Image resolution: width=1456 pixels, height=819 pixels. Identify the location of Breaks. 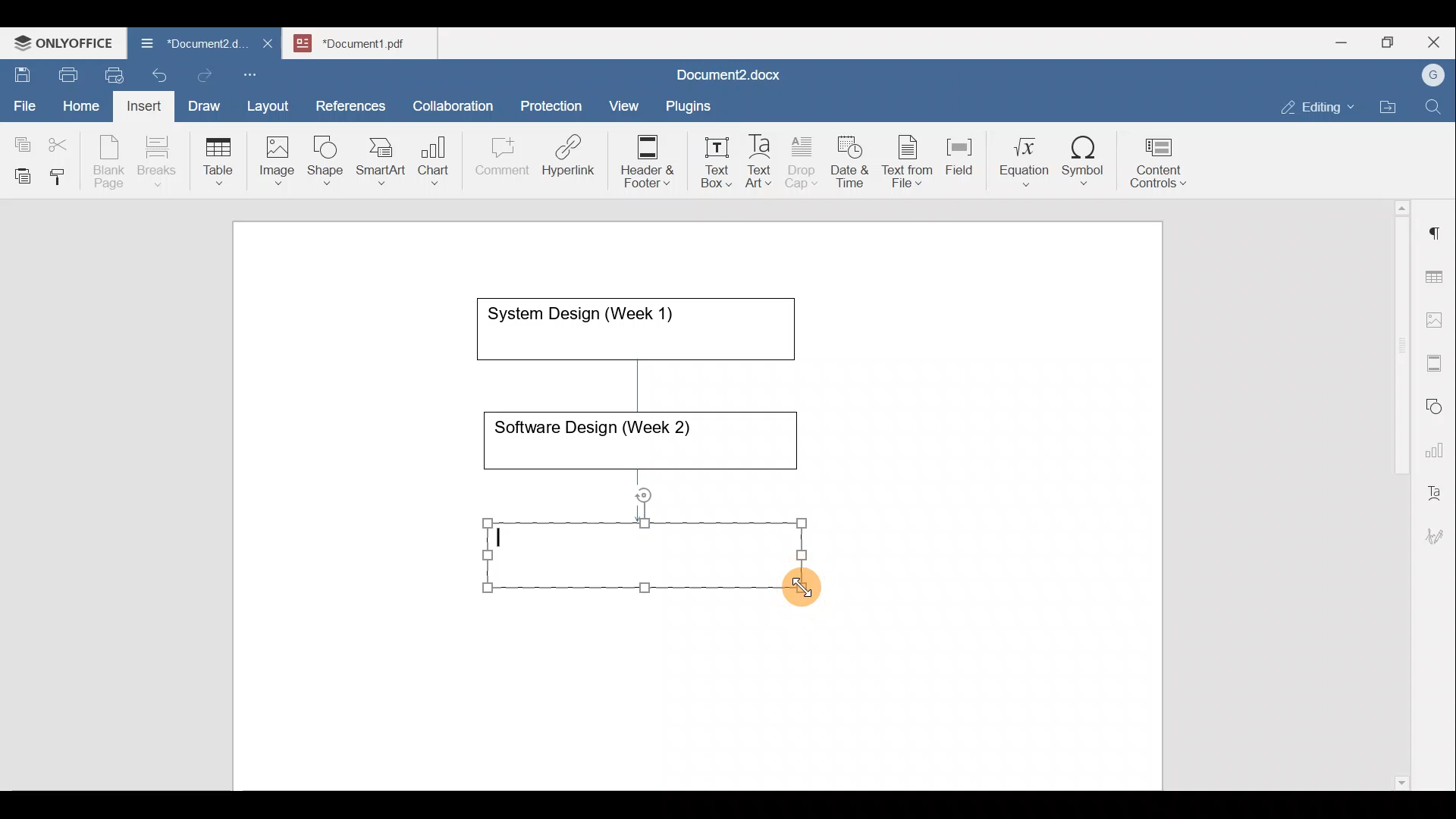
(156, 162).